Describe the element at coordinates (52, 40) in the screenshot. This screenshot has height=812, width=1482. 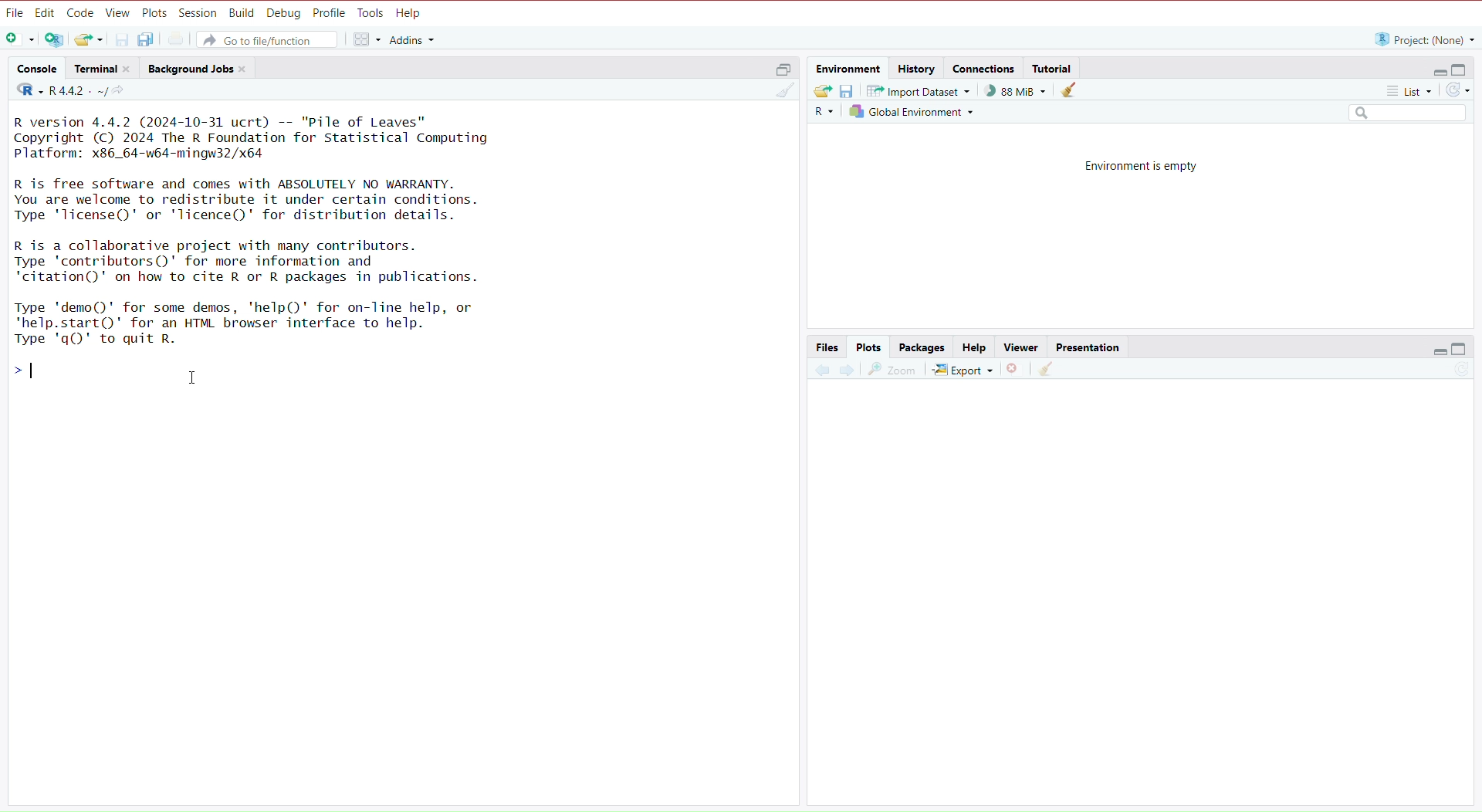
I see `Open new project` at that location.